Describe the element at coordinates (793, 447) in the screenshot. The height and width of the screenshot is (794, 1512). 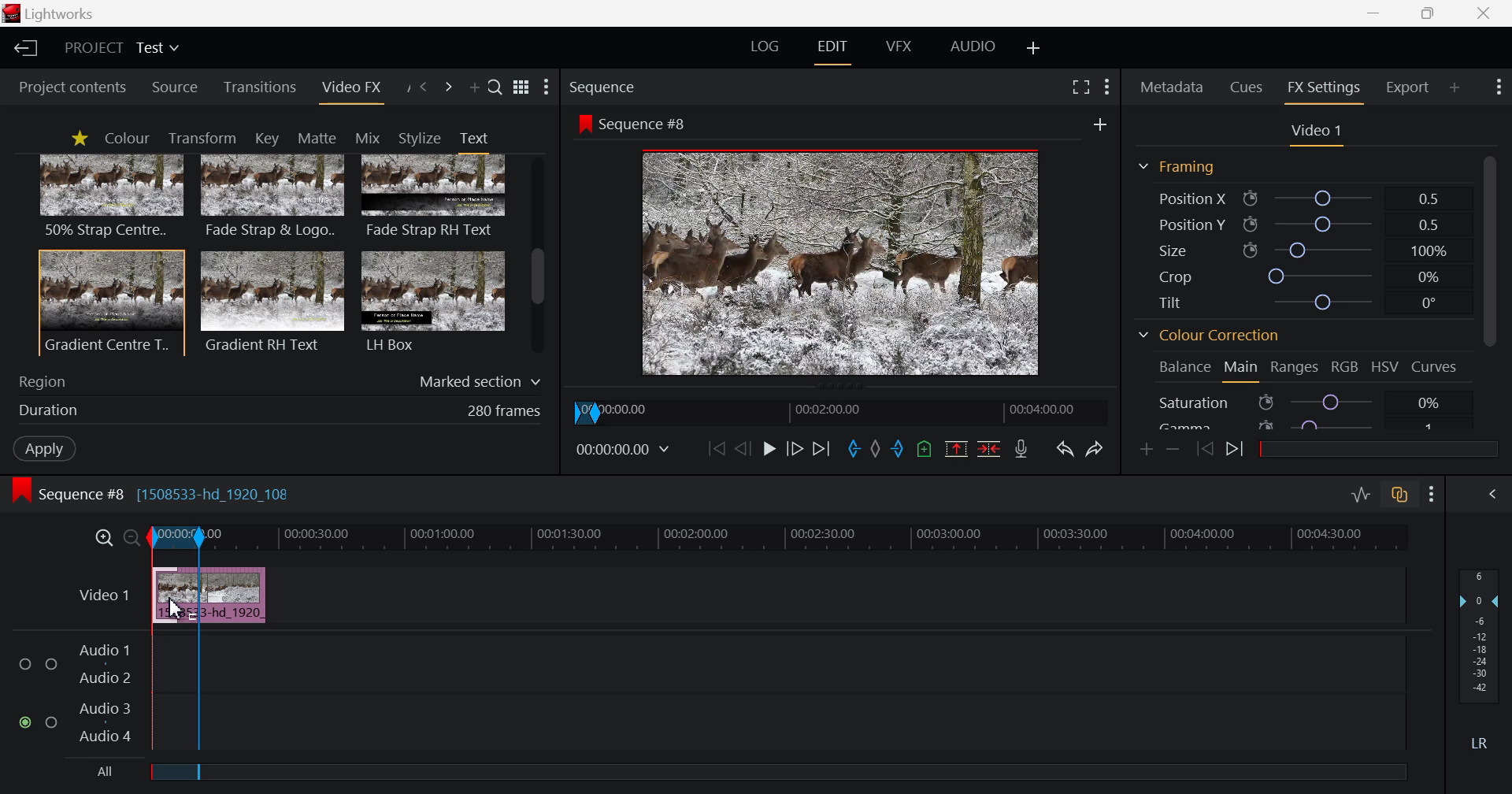
I see `Go Forward` at that location.